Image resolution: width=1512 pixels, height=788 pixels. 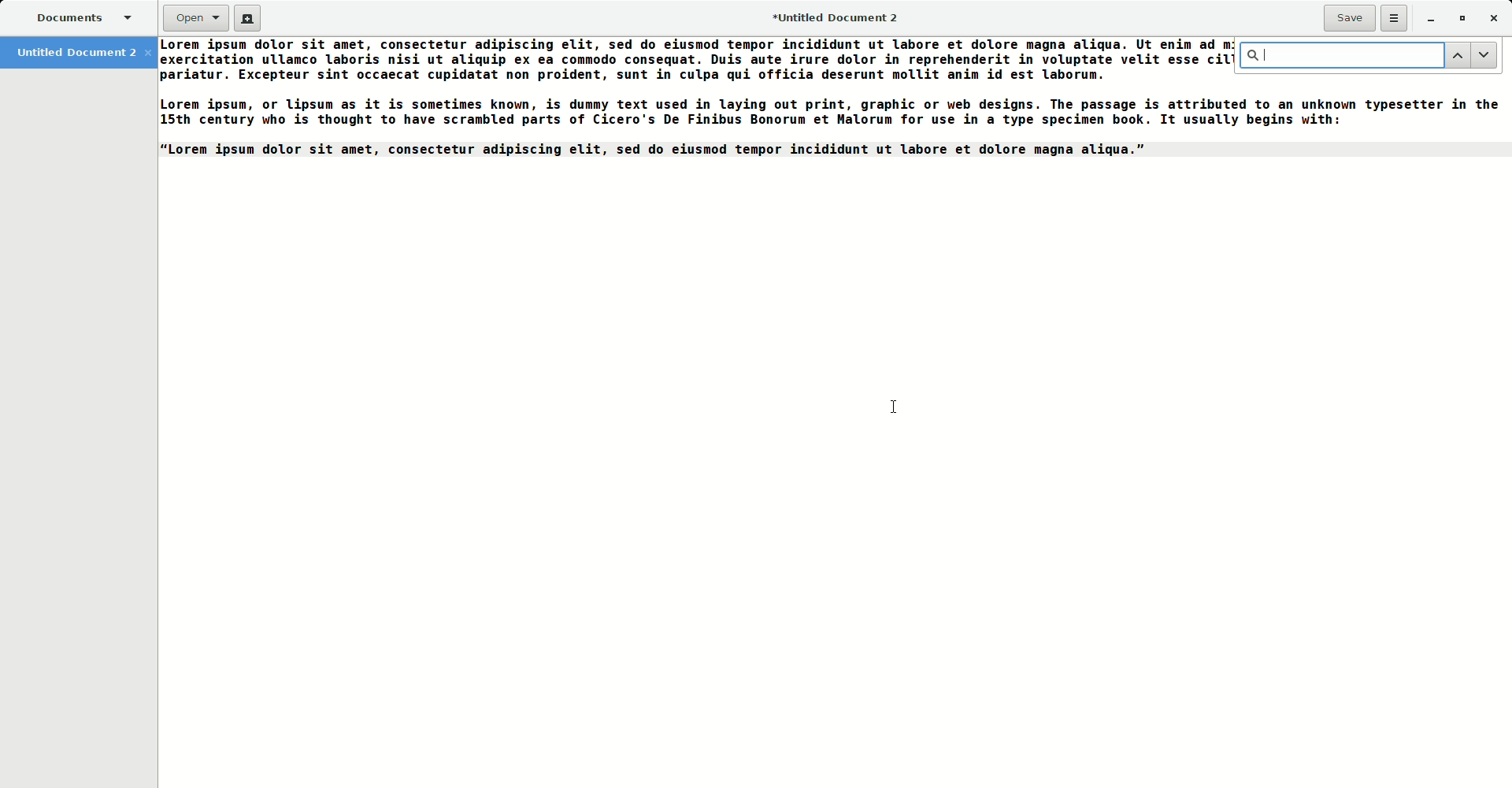 What do you see at coordinates (1428, 20) in the screenshot?
I see `Minimize` at bounding box center [1428, 20].